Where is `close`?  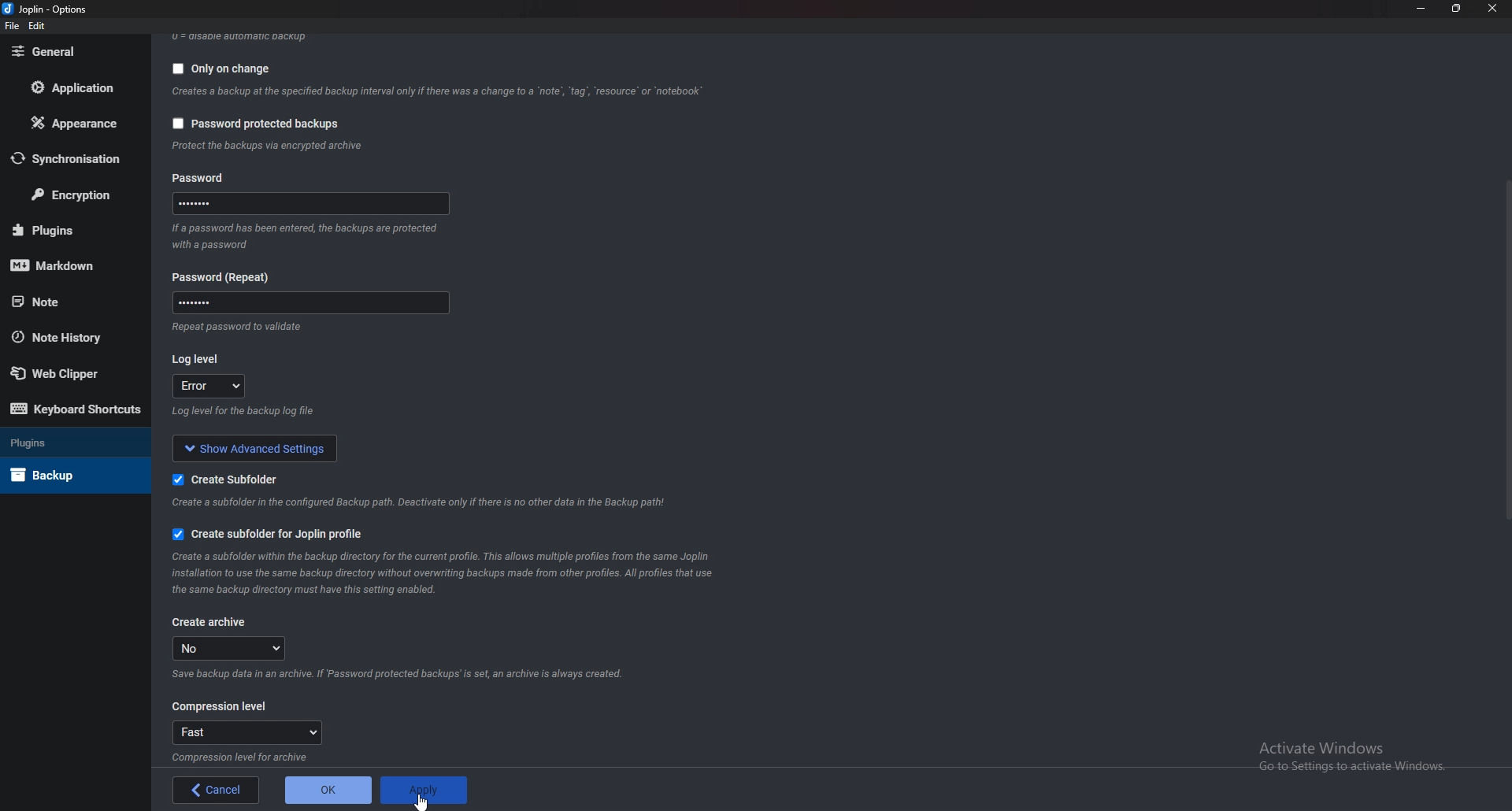
close is located at coordinates (1495, 8).